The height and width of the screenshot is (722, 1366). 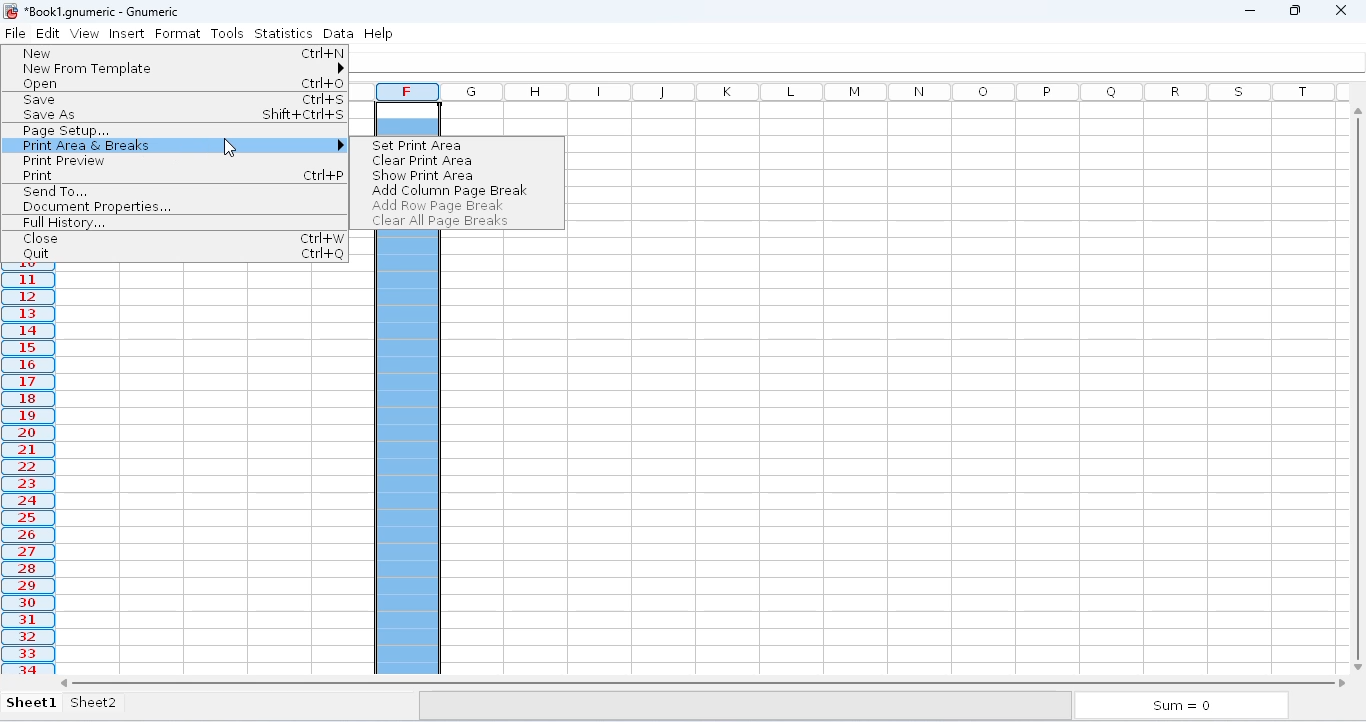 What do you see at coordinates (1294, 10) in the screenshot?
I see `maximize` at bounding box center [1294, 10].